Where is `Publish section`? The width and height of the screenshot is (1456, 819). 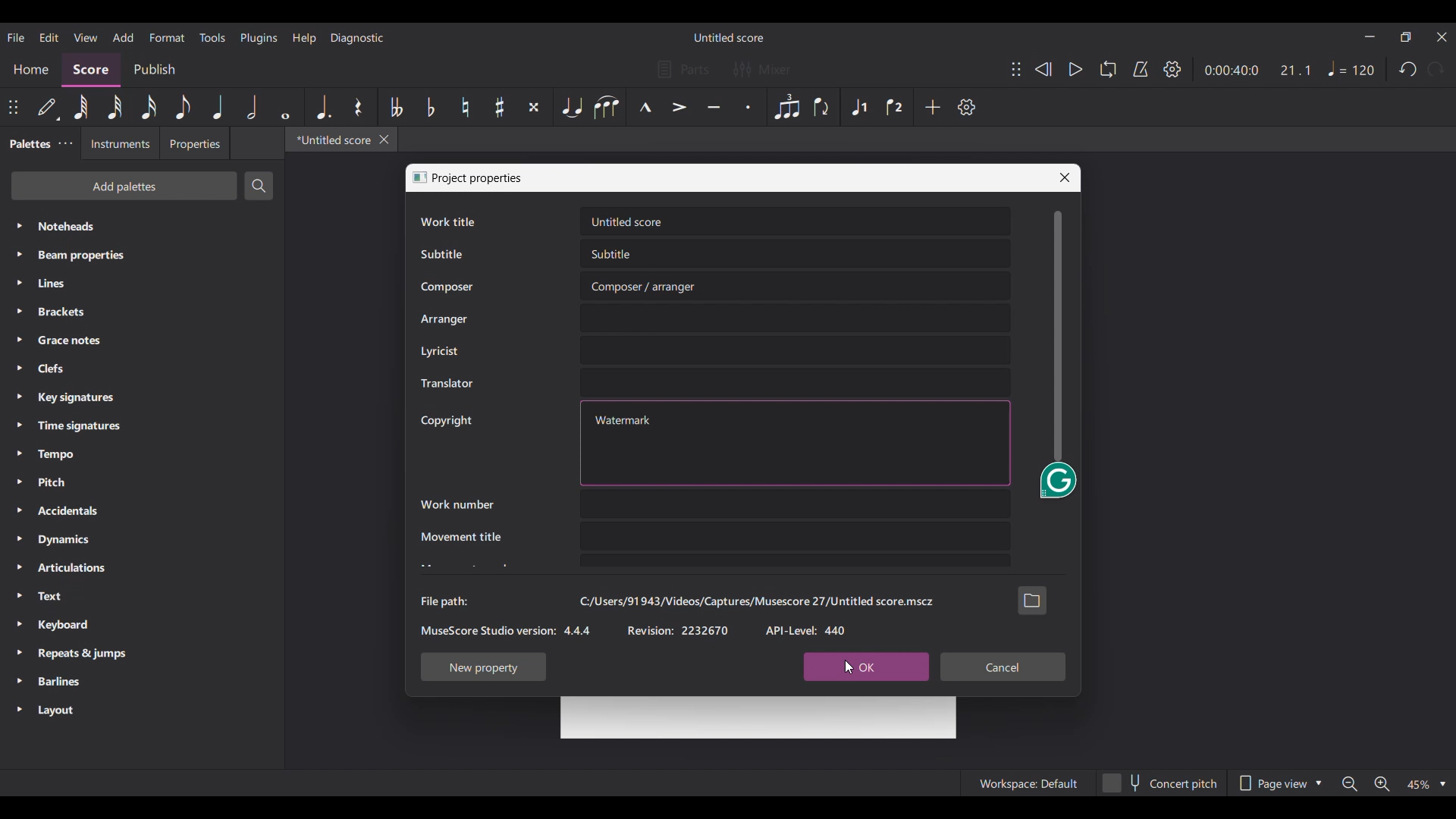 Publish section is located at coordinates (154, 71).